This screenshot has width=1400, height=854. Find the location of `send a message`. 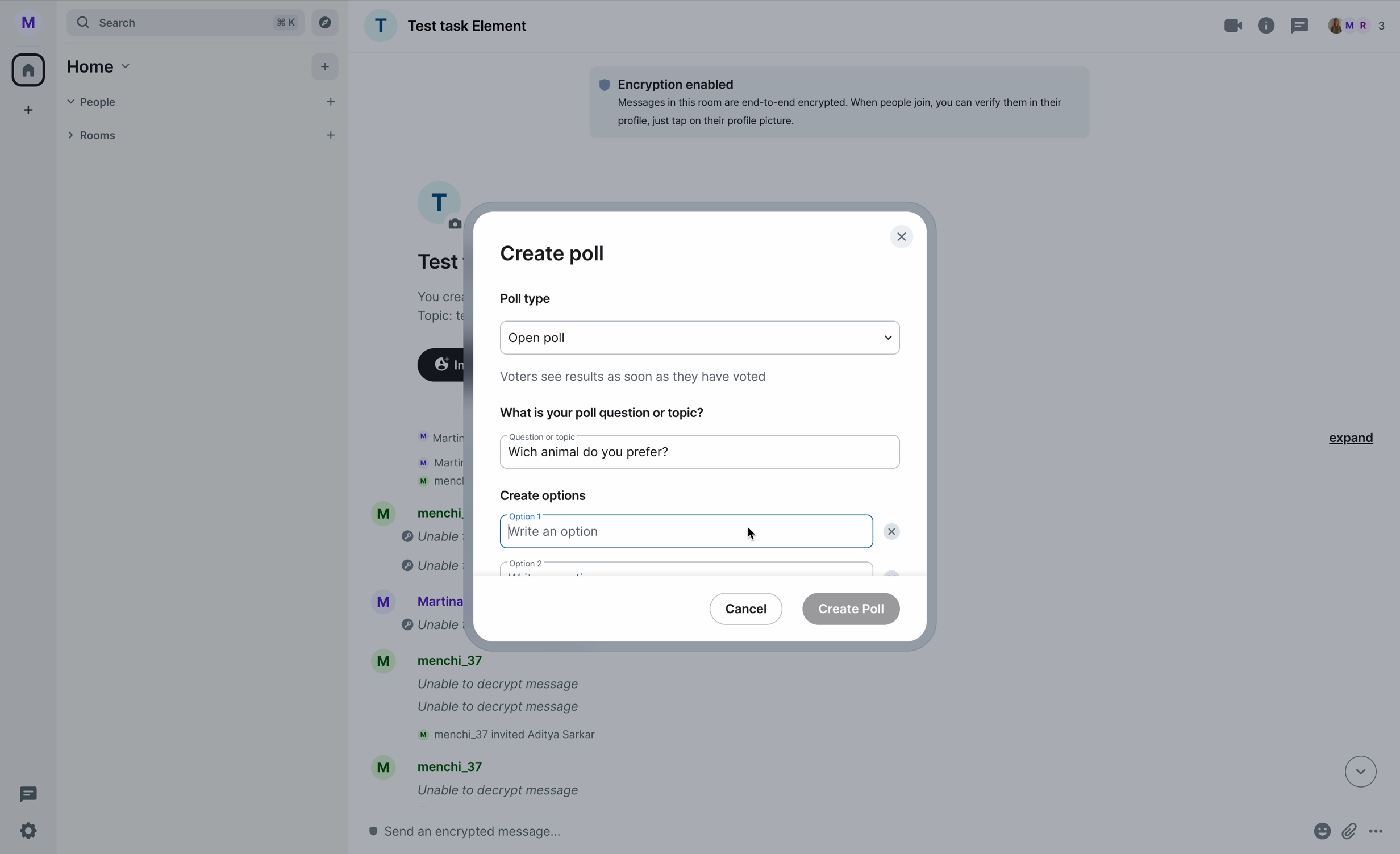

send a message is located at coordinates (489, 831).